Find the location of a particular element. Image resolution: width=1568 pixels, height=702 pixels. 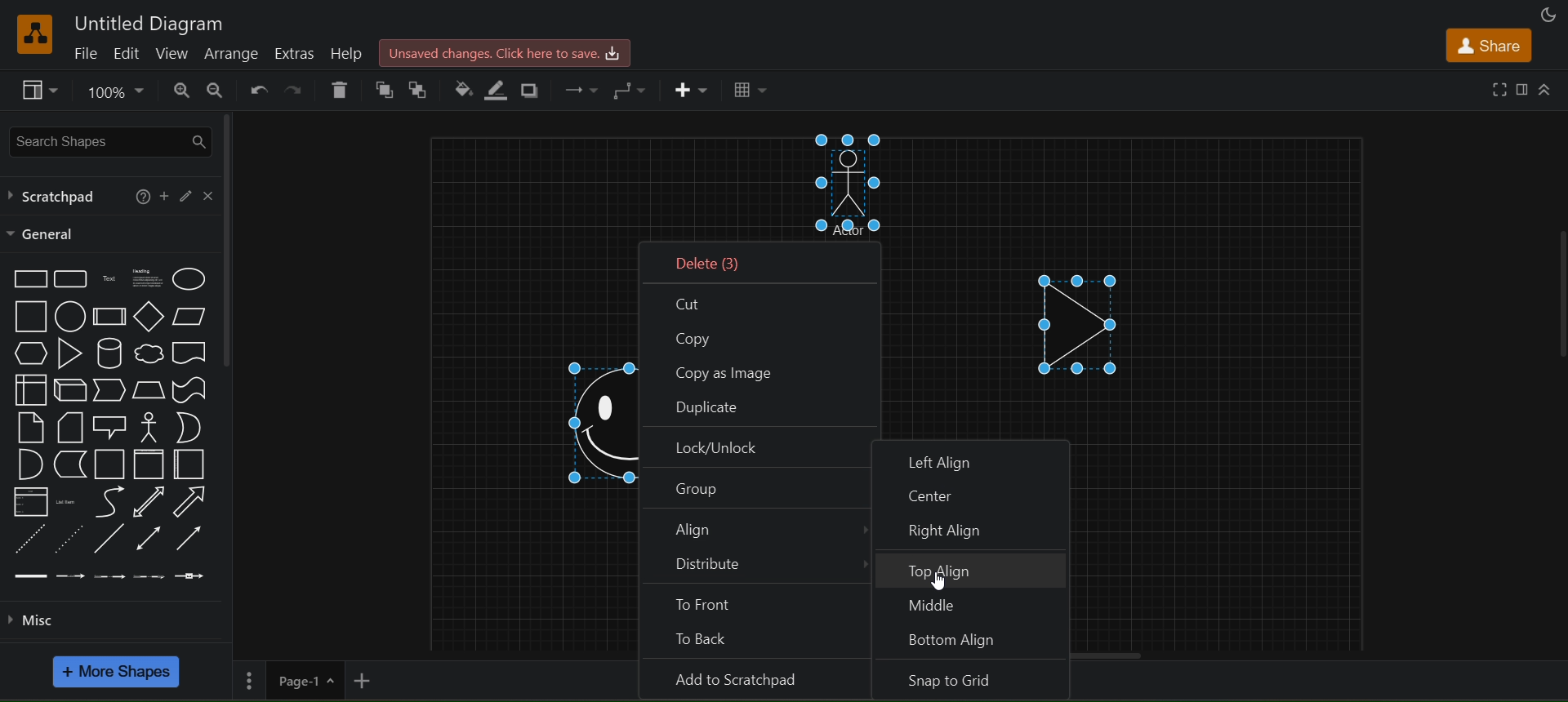

parallelogram is located at coordinates (192, 318).